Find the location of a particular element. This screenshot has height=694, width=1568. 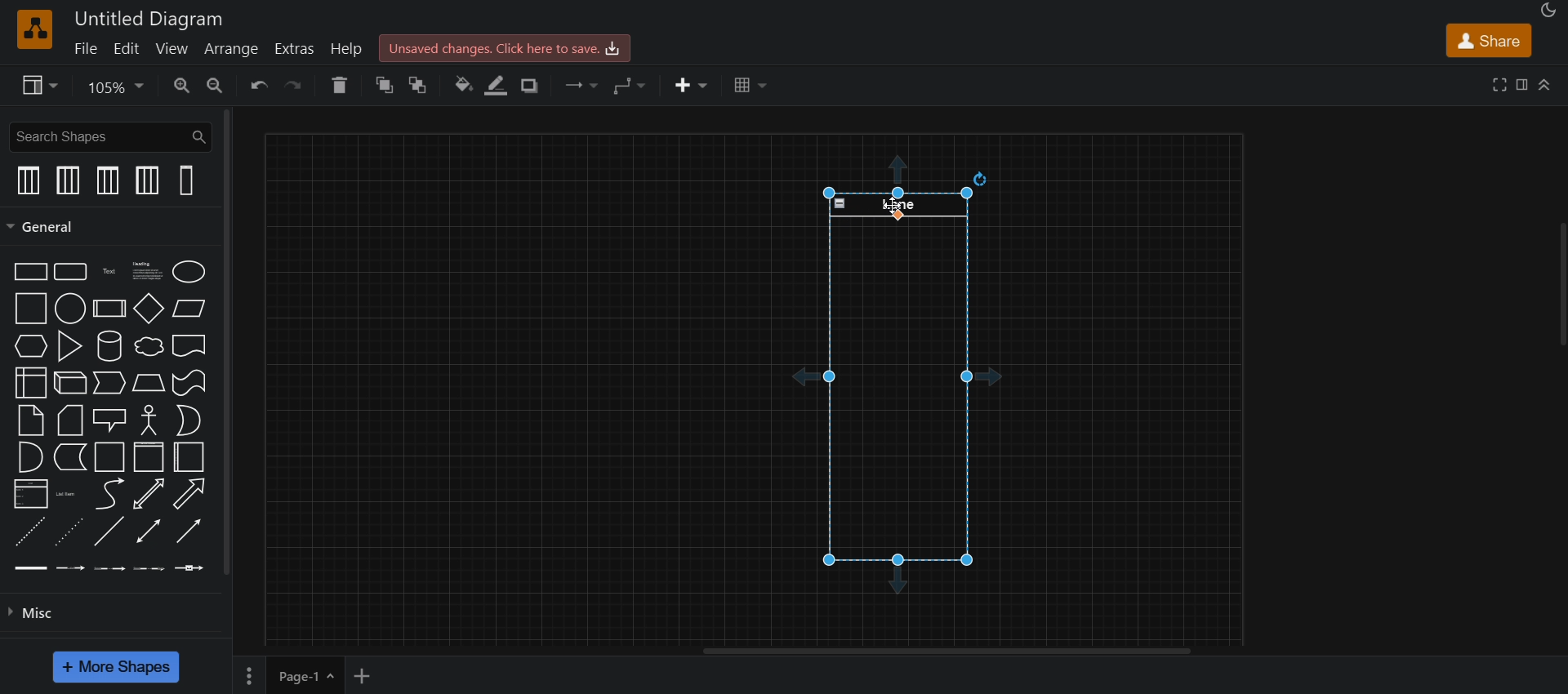

format is located at coordinates (1521, 85).